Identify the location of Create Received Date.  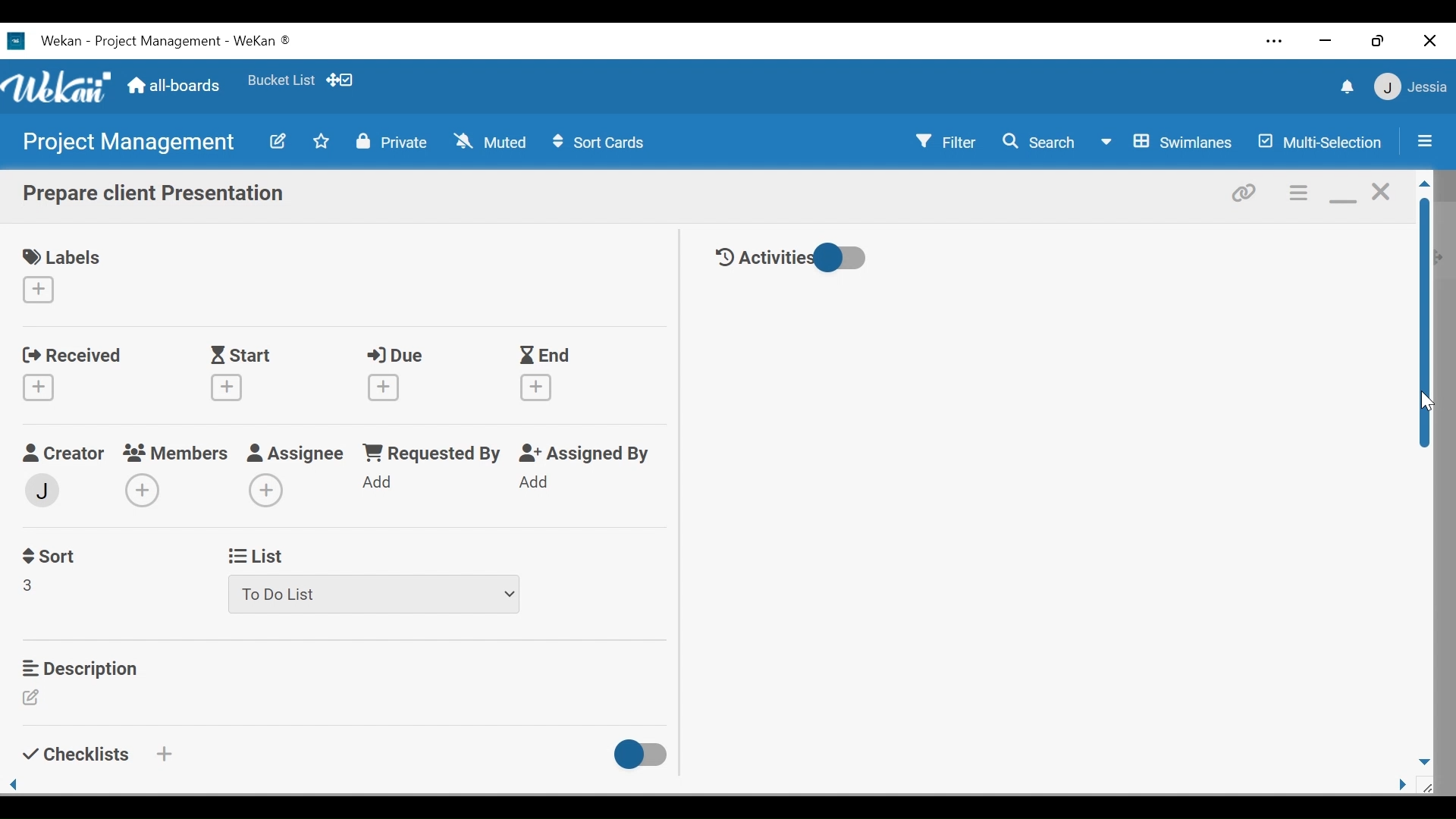
(39, 387).